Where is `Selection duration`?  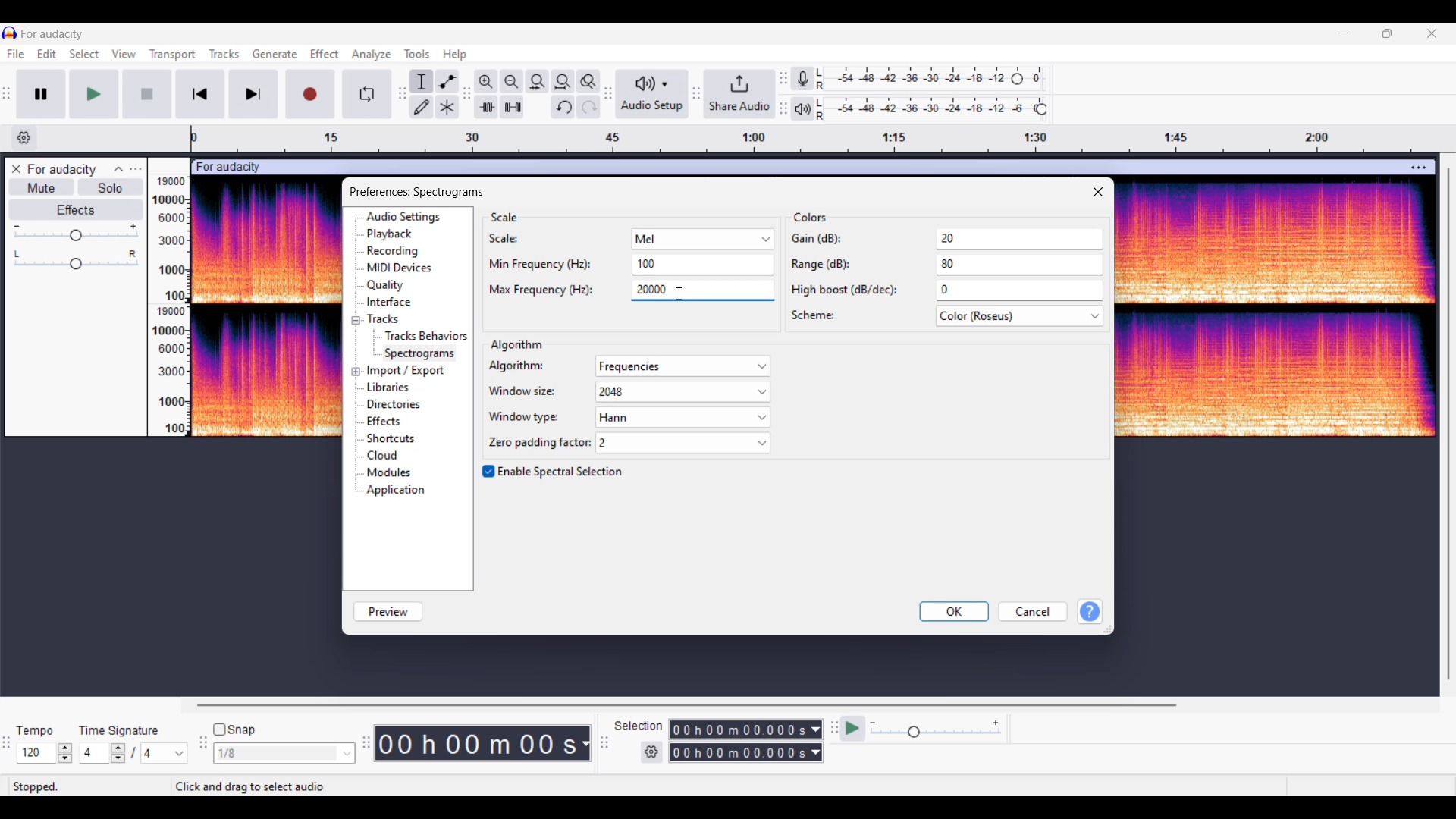
Selection duration is located at coordinates (739, 741).